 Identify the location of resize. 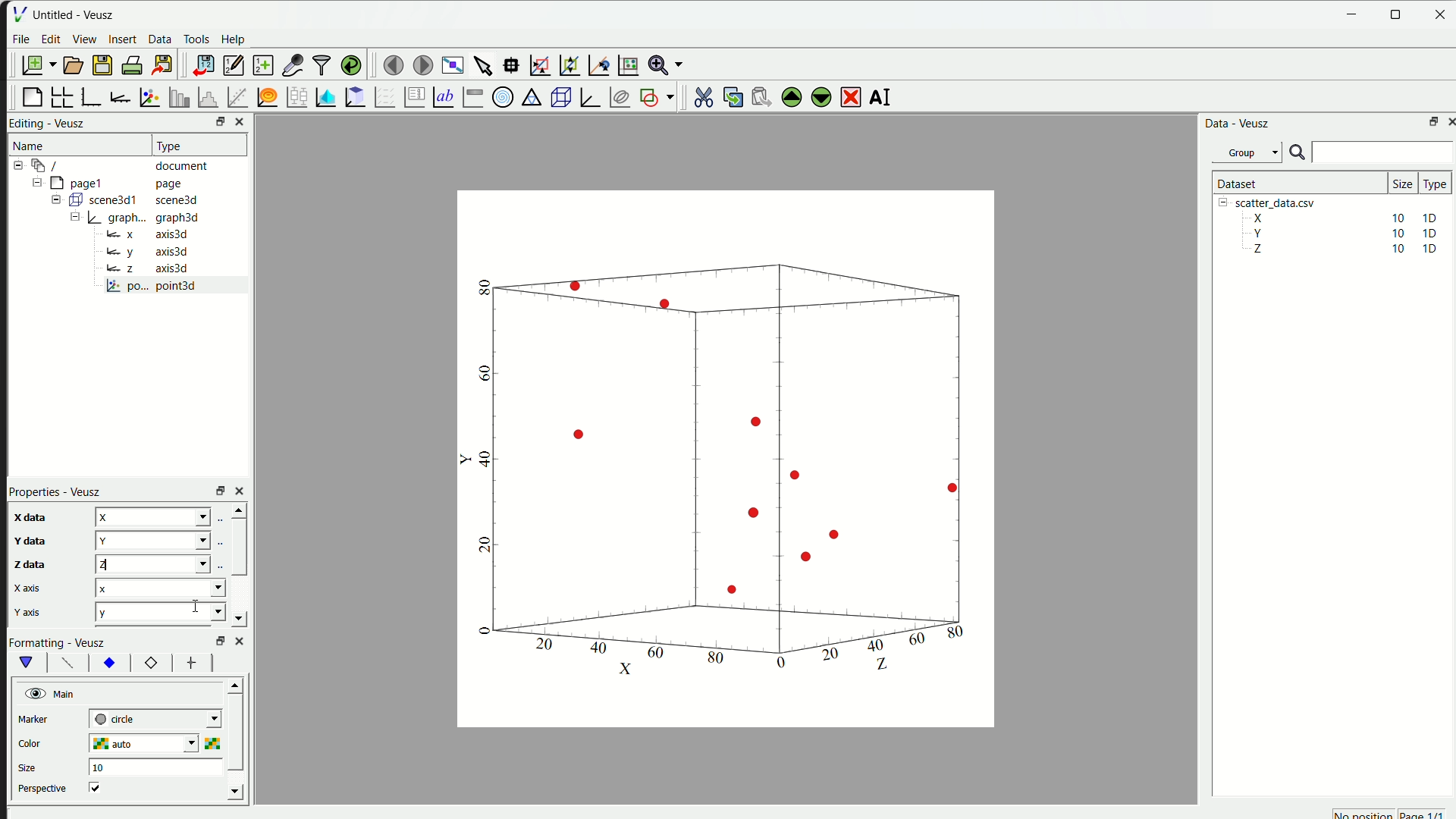
(1397, 14).